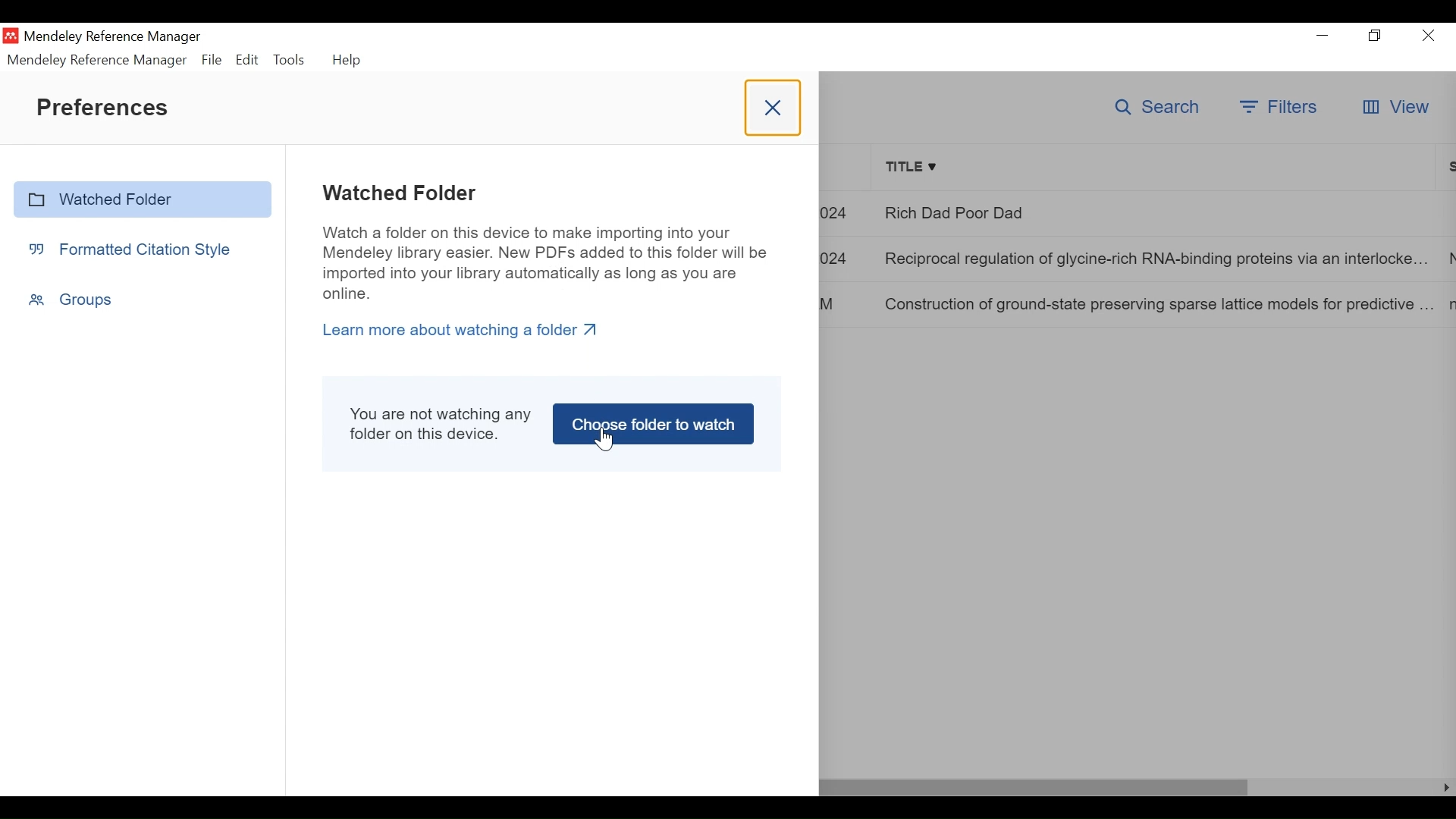  I want to click on Mendeley Reference Manager, so click(99, 61).